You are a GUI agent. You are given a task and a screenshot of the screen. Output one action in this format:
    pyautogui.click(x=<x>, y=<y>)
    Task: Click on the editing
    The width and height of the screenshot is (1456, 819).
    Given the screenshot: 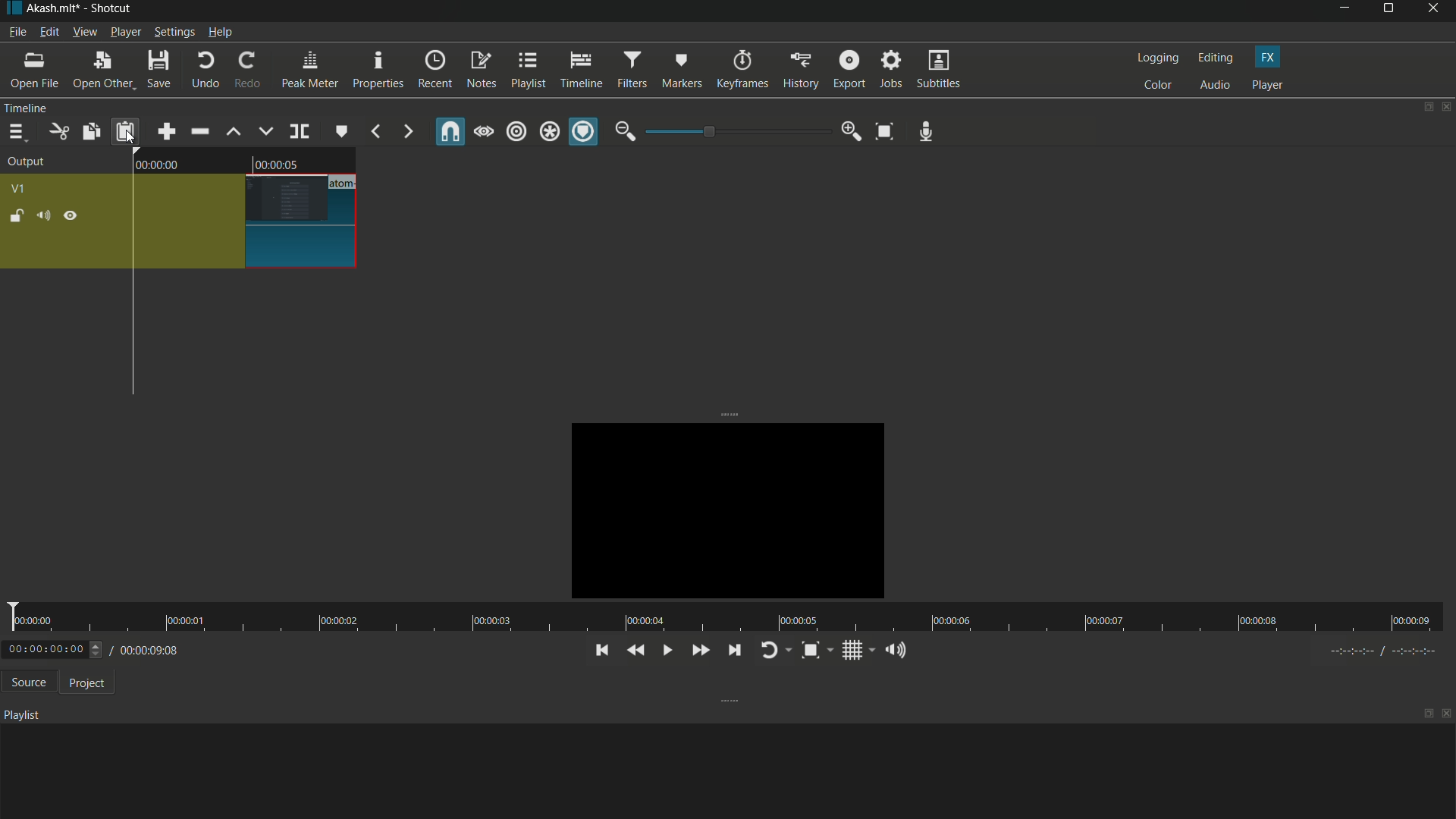 What is the action you would take?
    pyautogui.click(x=1214, y=58)
    